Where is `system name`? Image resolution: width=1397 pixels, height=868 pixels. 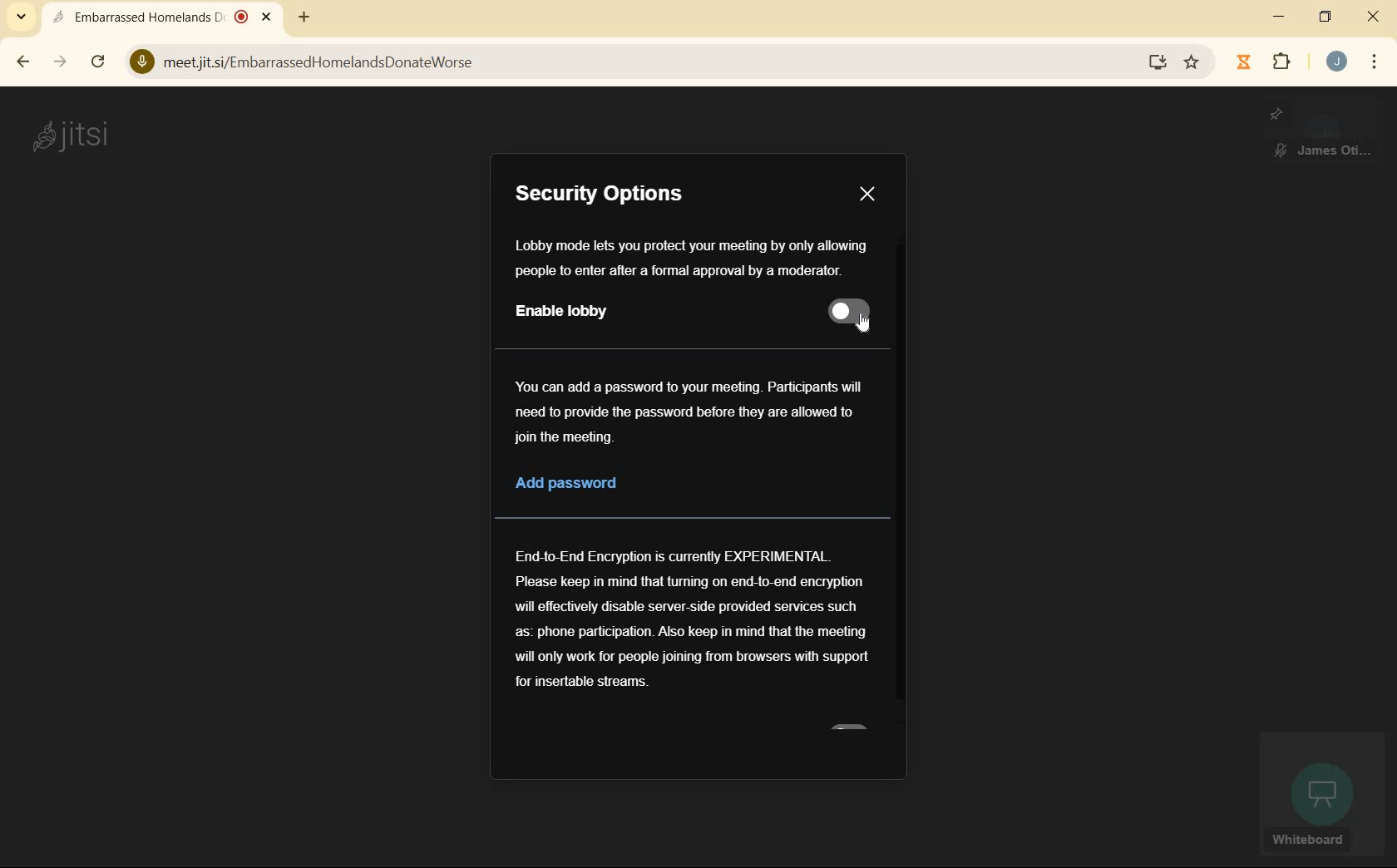 system name is located at coordinates (69, 136).